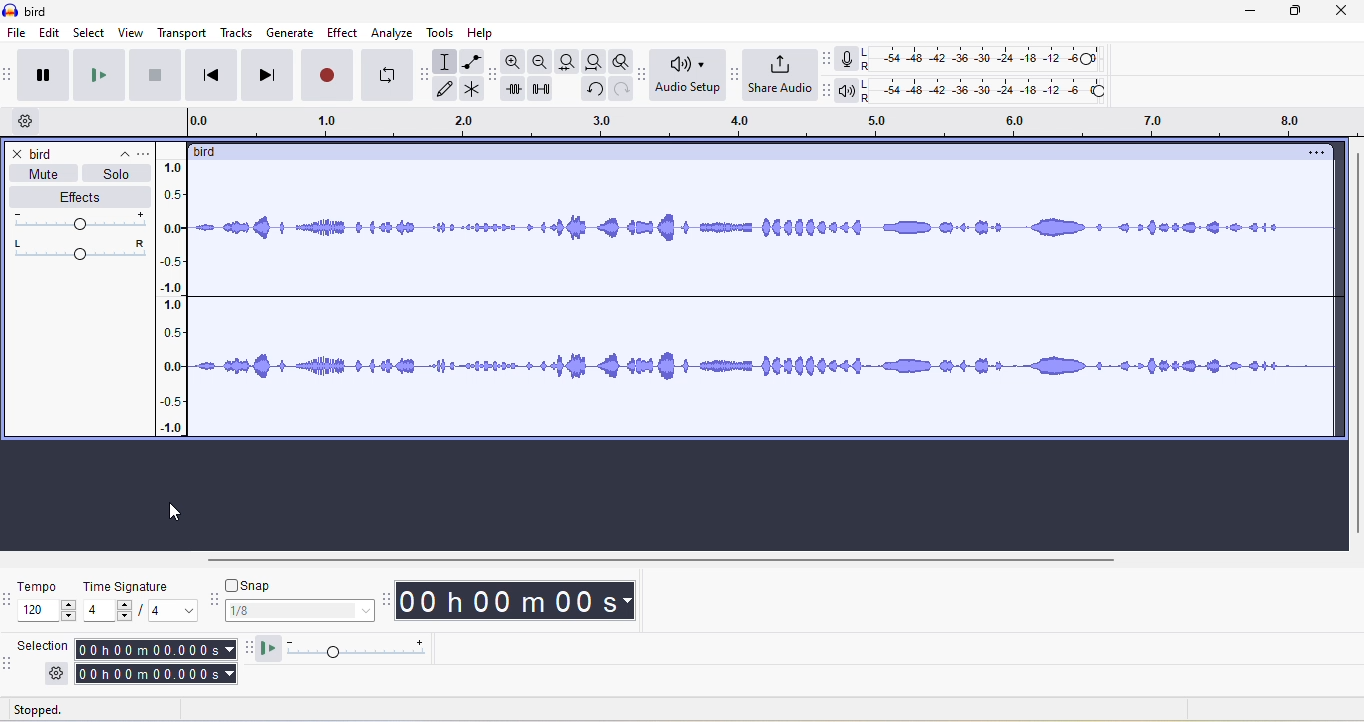 The width and height of the screenshot is (1364, 722). What do you see at coordinates (157, 80) in the screenshot?
I see `stop` at bounding box center [157, 80].